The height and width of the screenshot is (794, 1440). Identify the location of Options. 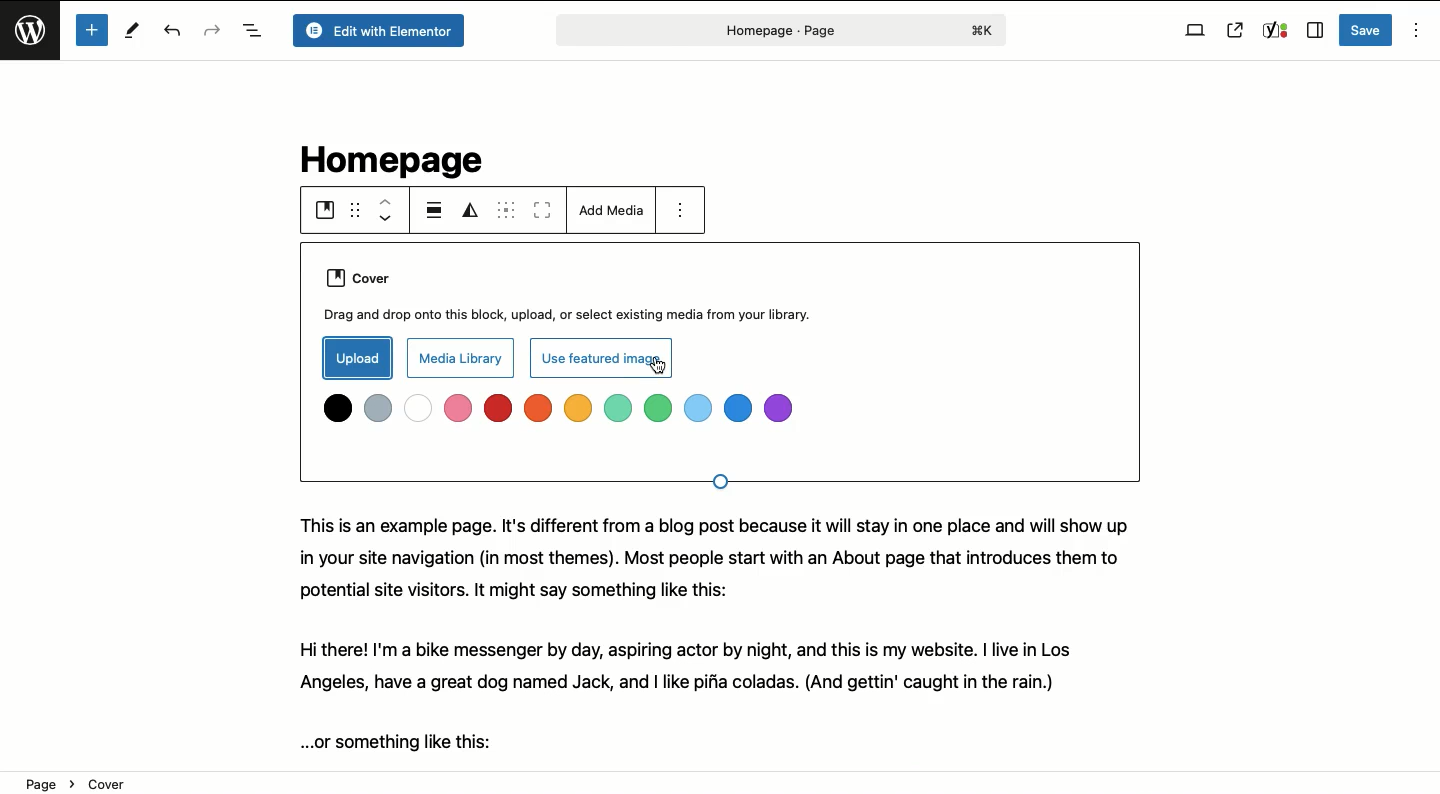
(1414, 31).